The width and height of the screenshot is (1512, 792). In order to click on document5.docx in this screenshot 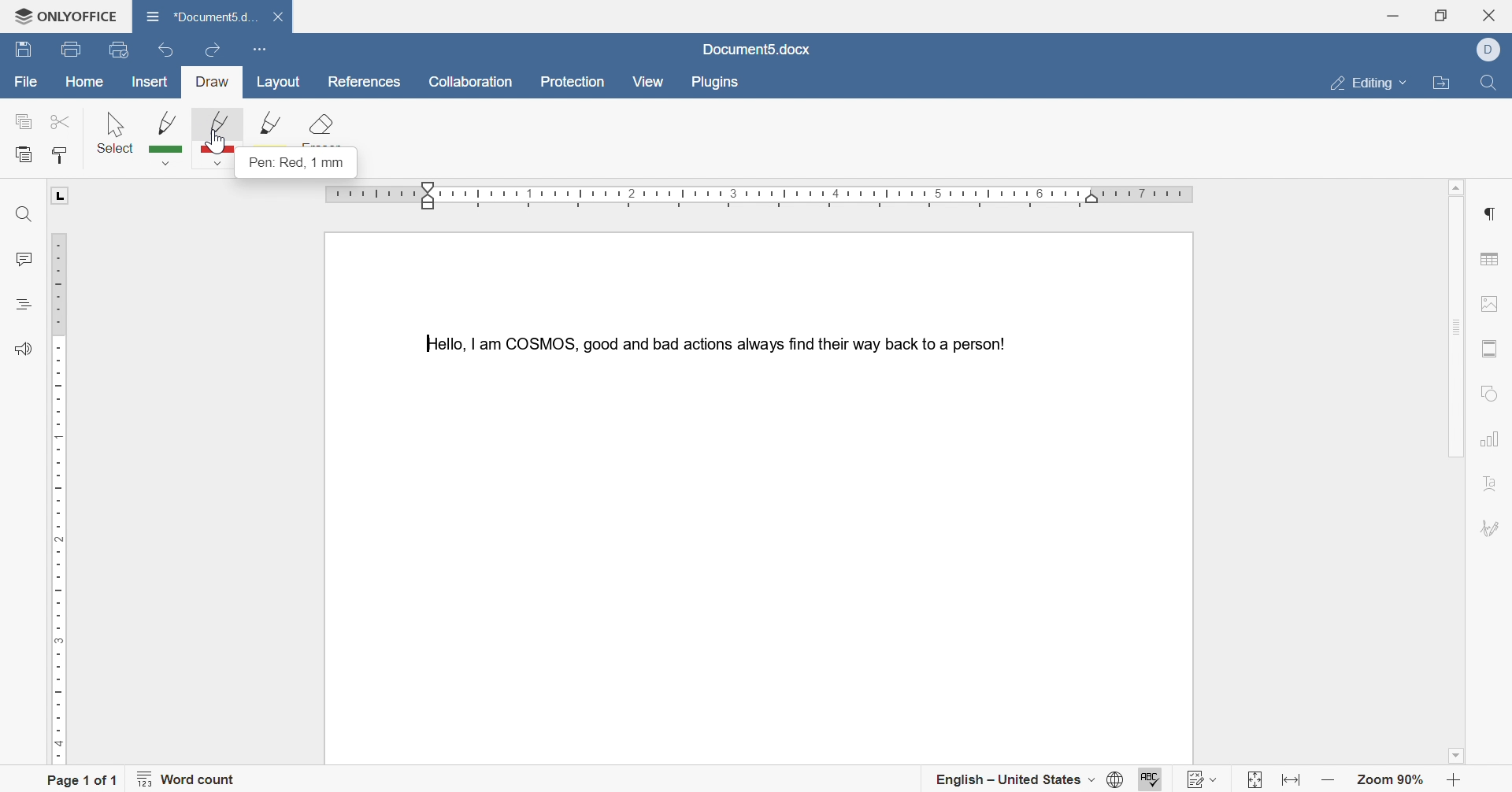, I will do `click(757, 49)`.